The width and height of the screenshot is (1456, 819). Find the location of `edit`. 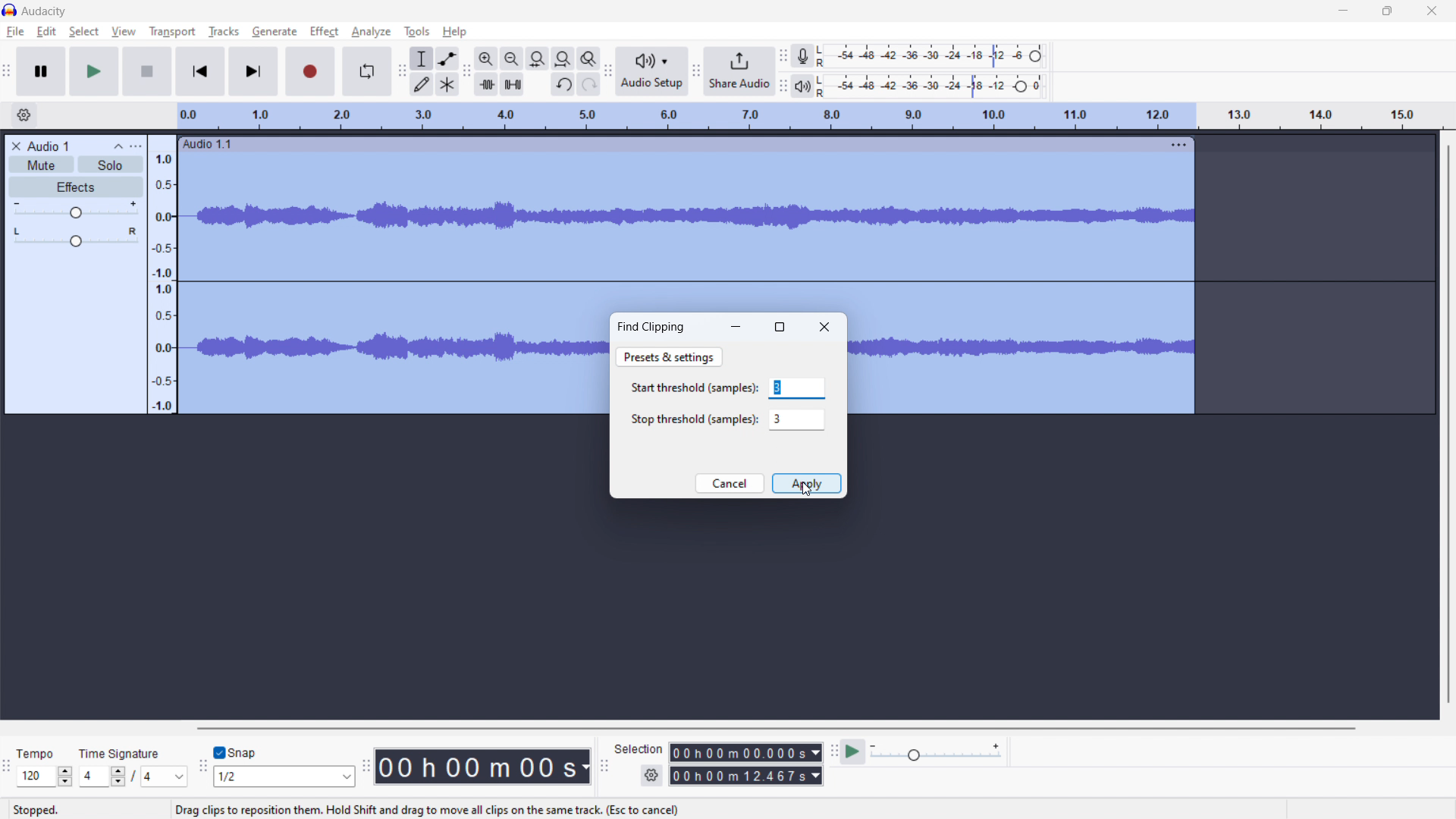

edit is located at coordinates (47, 32).